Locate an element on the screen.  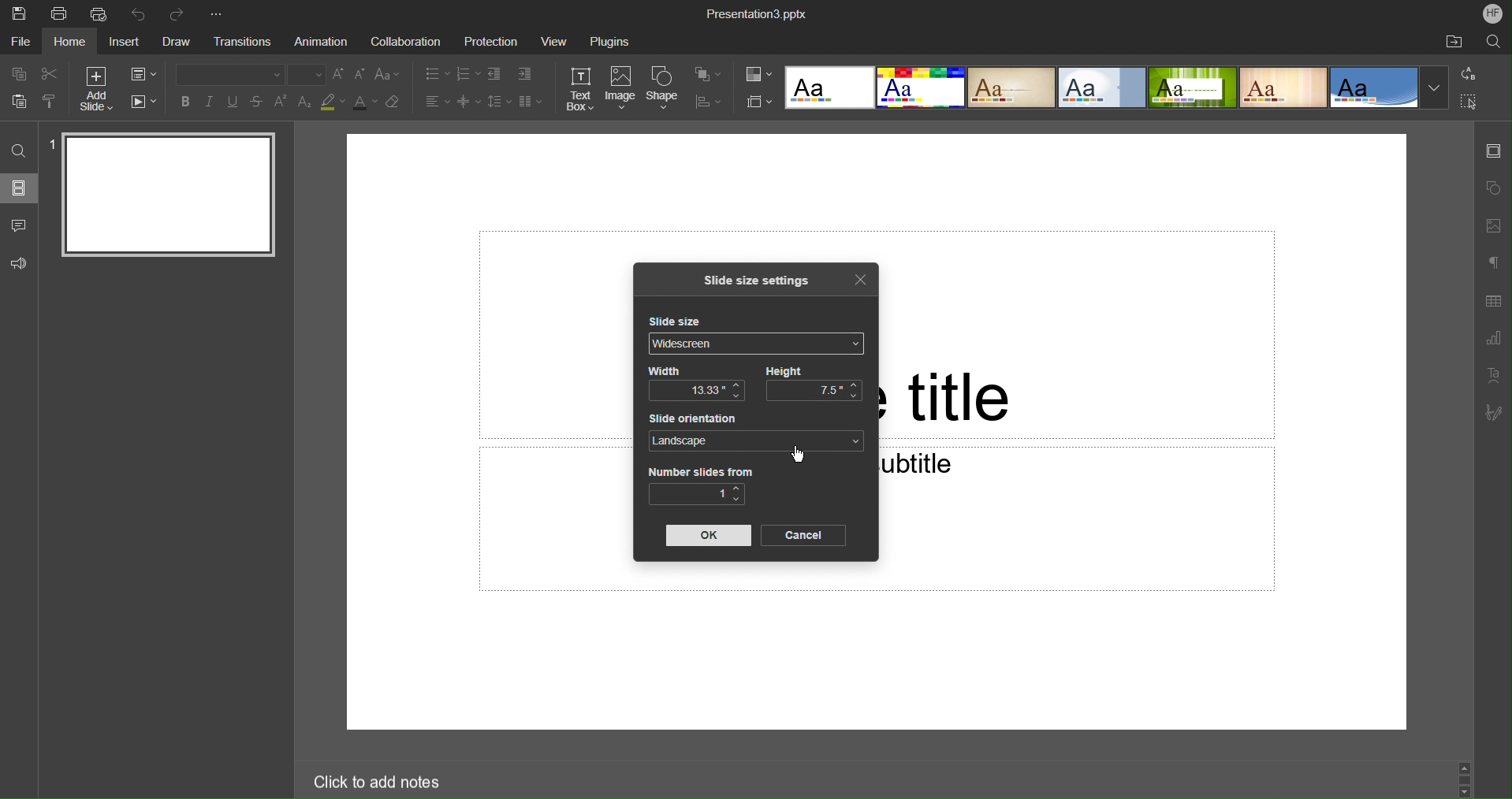
Insert is located at coordinates (125, 43).